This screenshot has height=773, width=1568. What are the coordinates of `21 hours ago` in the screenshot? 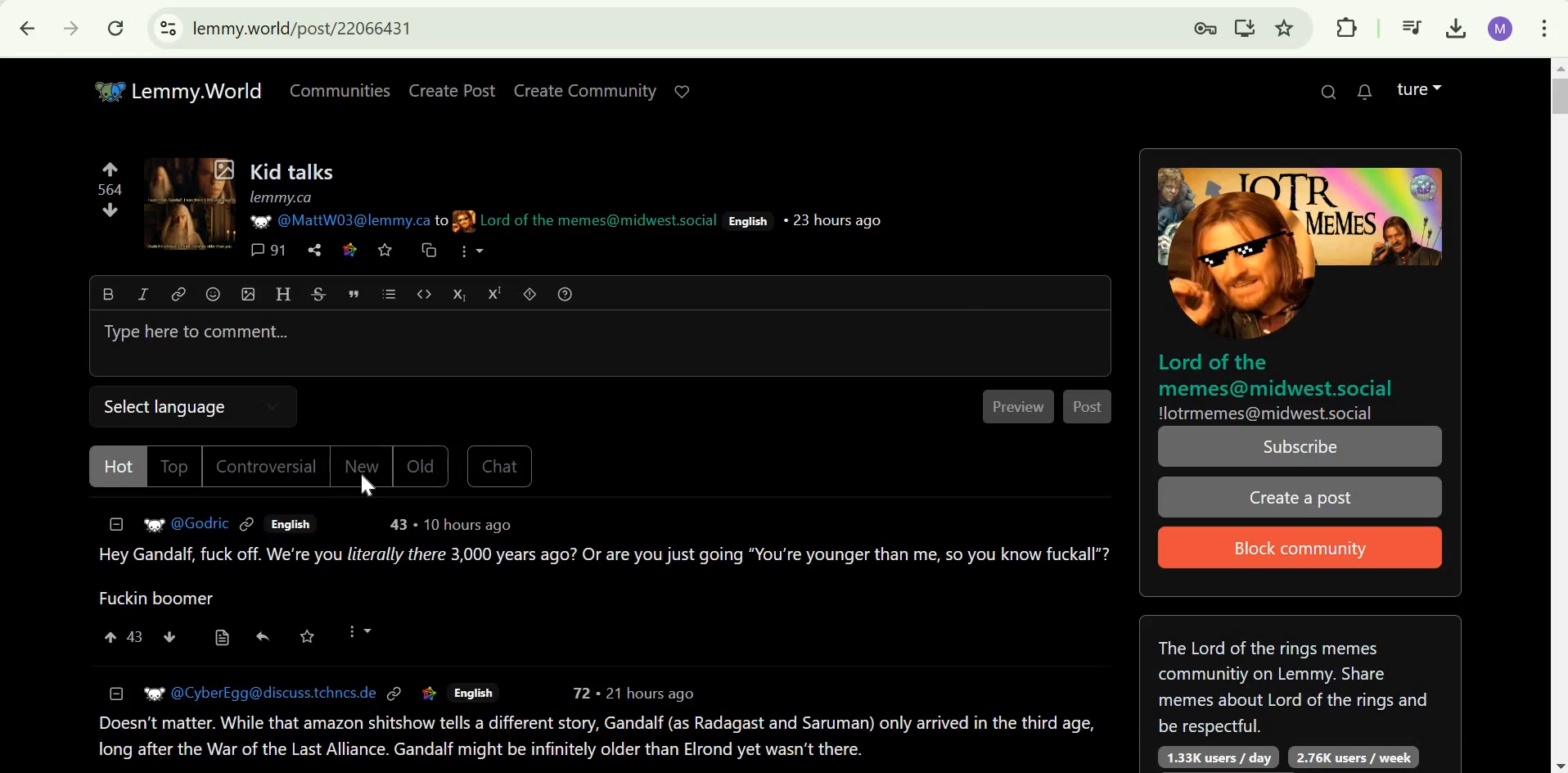 It's located at (653, 692).